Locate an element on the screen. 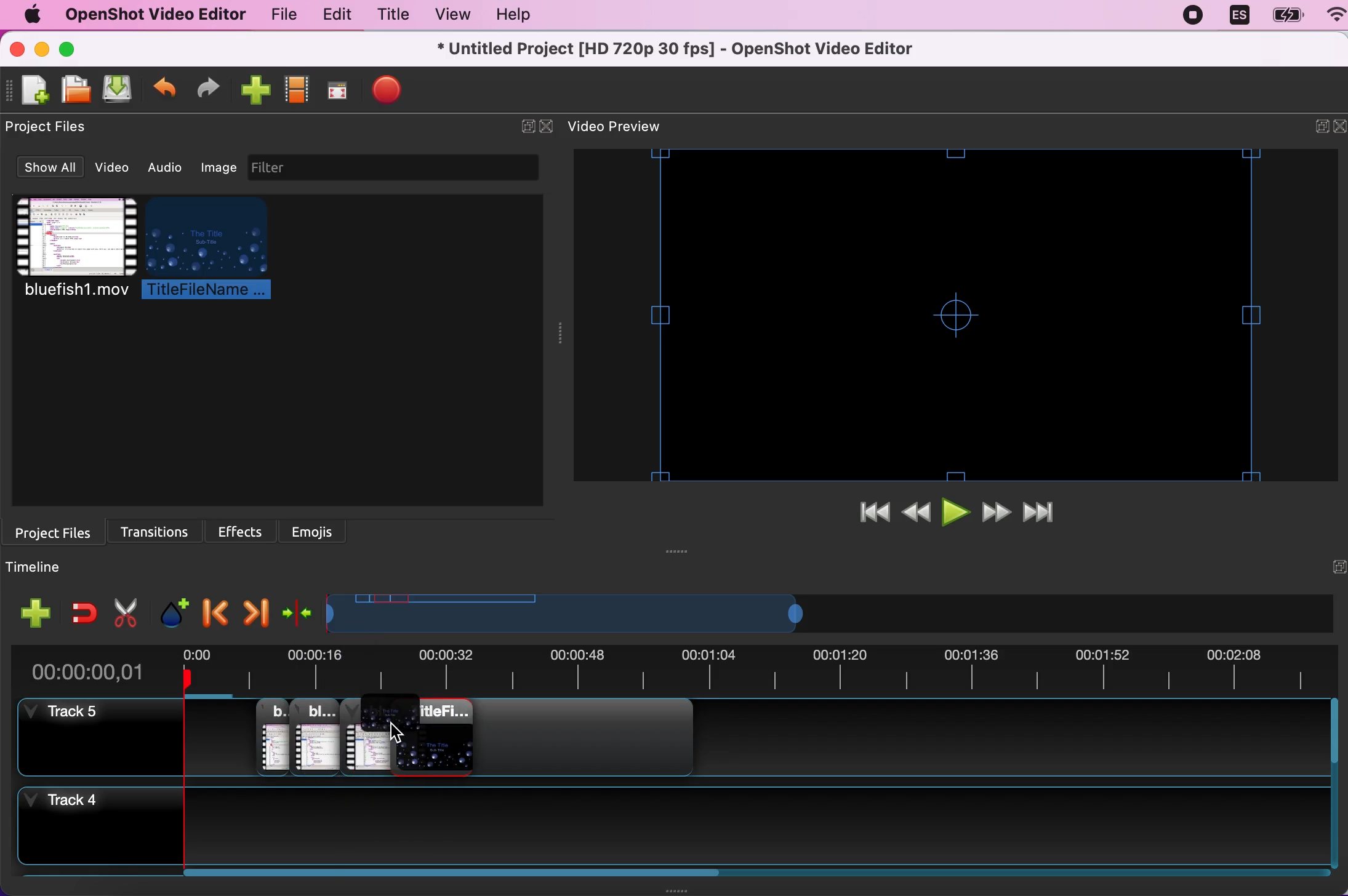 The image size is (1348, 896). wifi is located at coordinates (1330, 17).